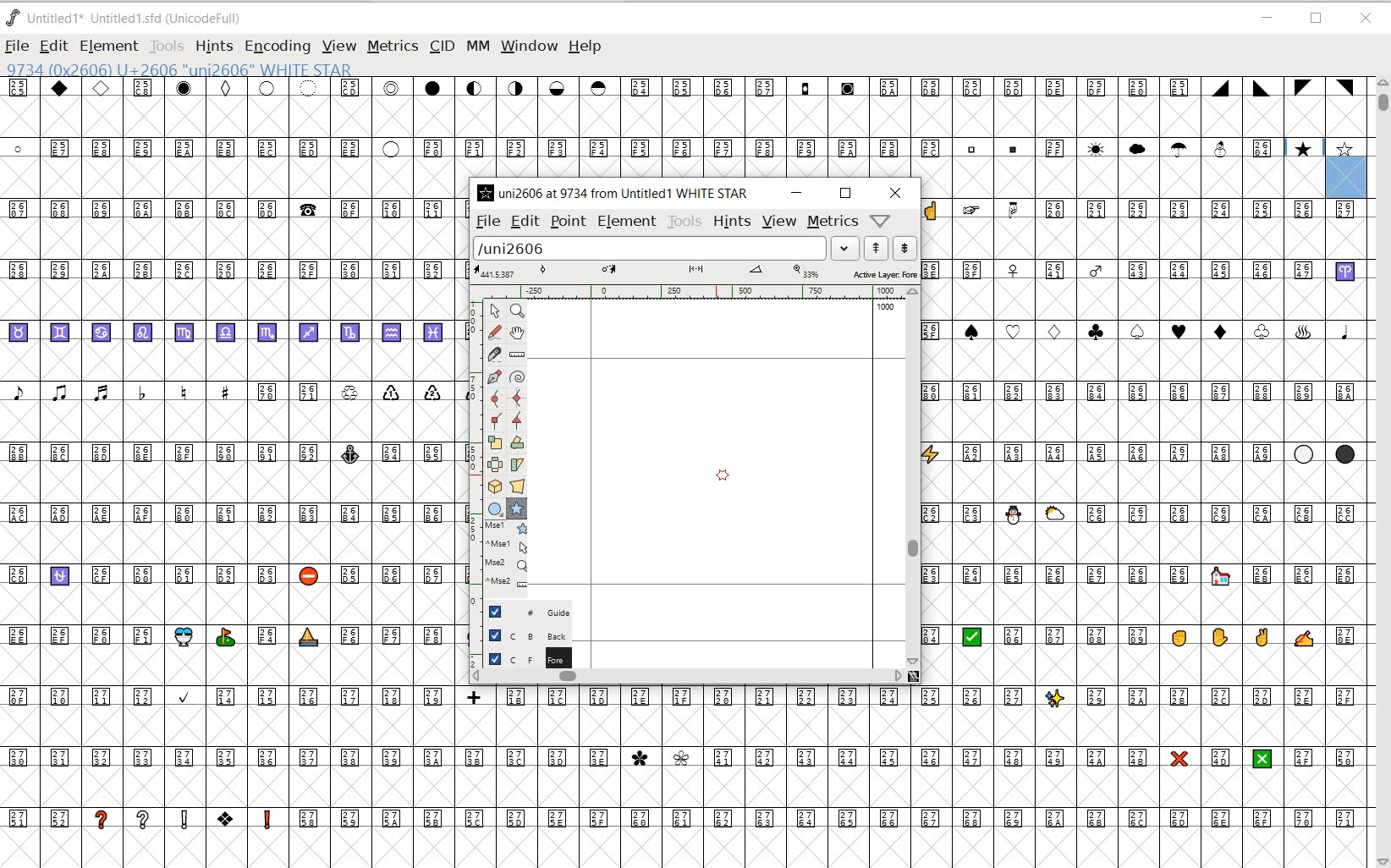  Describe the element at coordinates (1318, 19) in the screenshot. I see `RESTORE` at that location.